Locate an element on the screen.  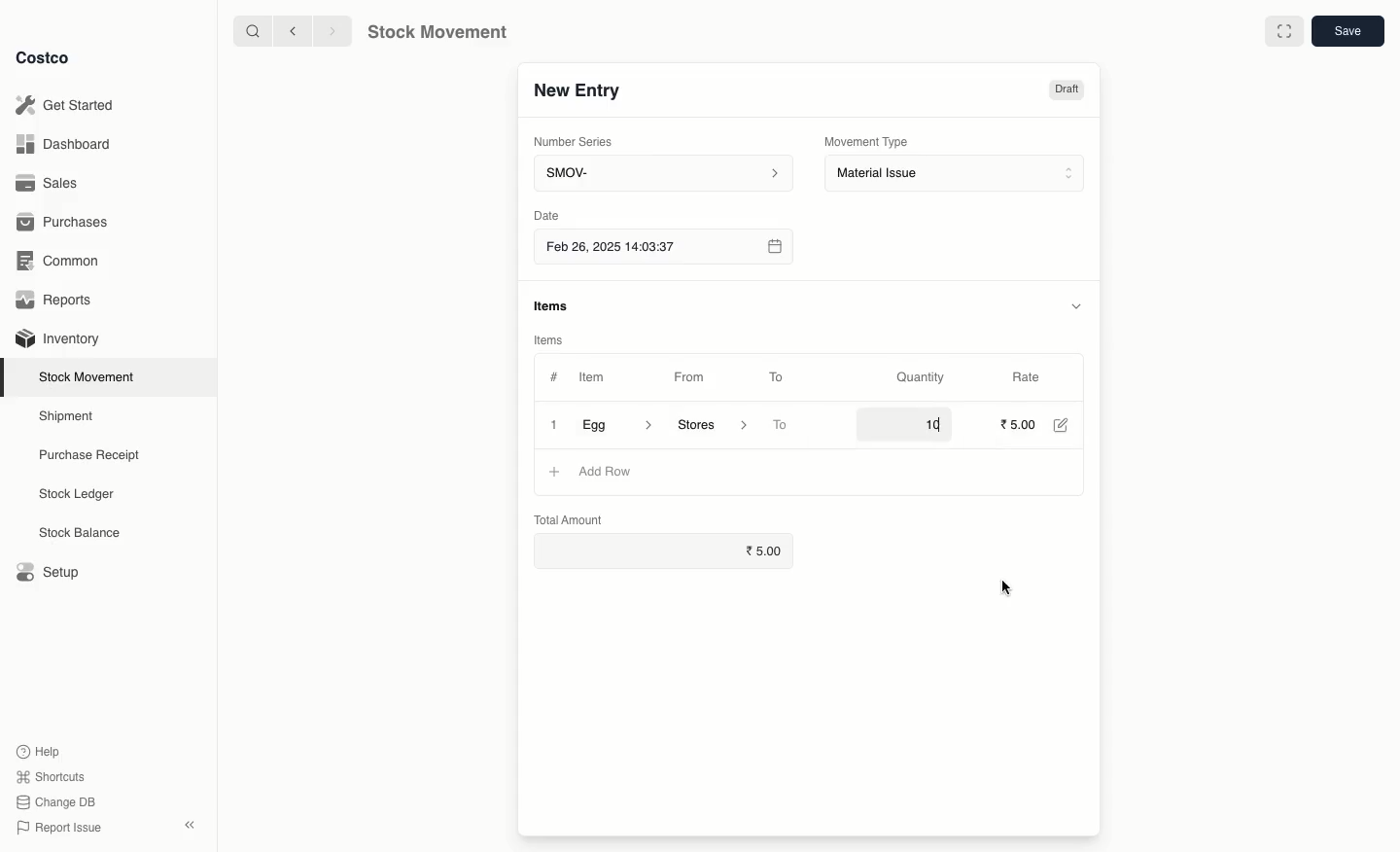
Draft is located at coordinates (1066, 91).